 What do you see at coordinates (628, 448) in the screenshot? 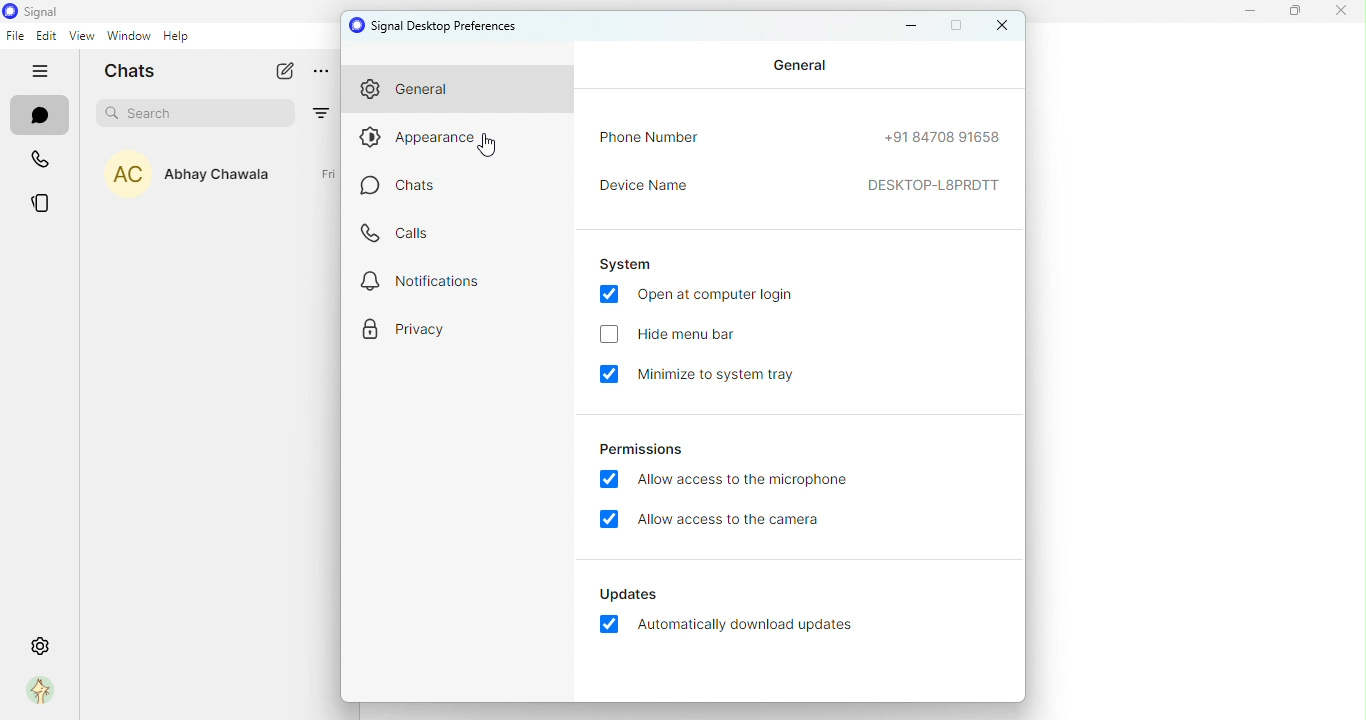
I see `permissions` at bounding box center [628, 448].